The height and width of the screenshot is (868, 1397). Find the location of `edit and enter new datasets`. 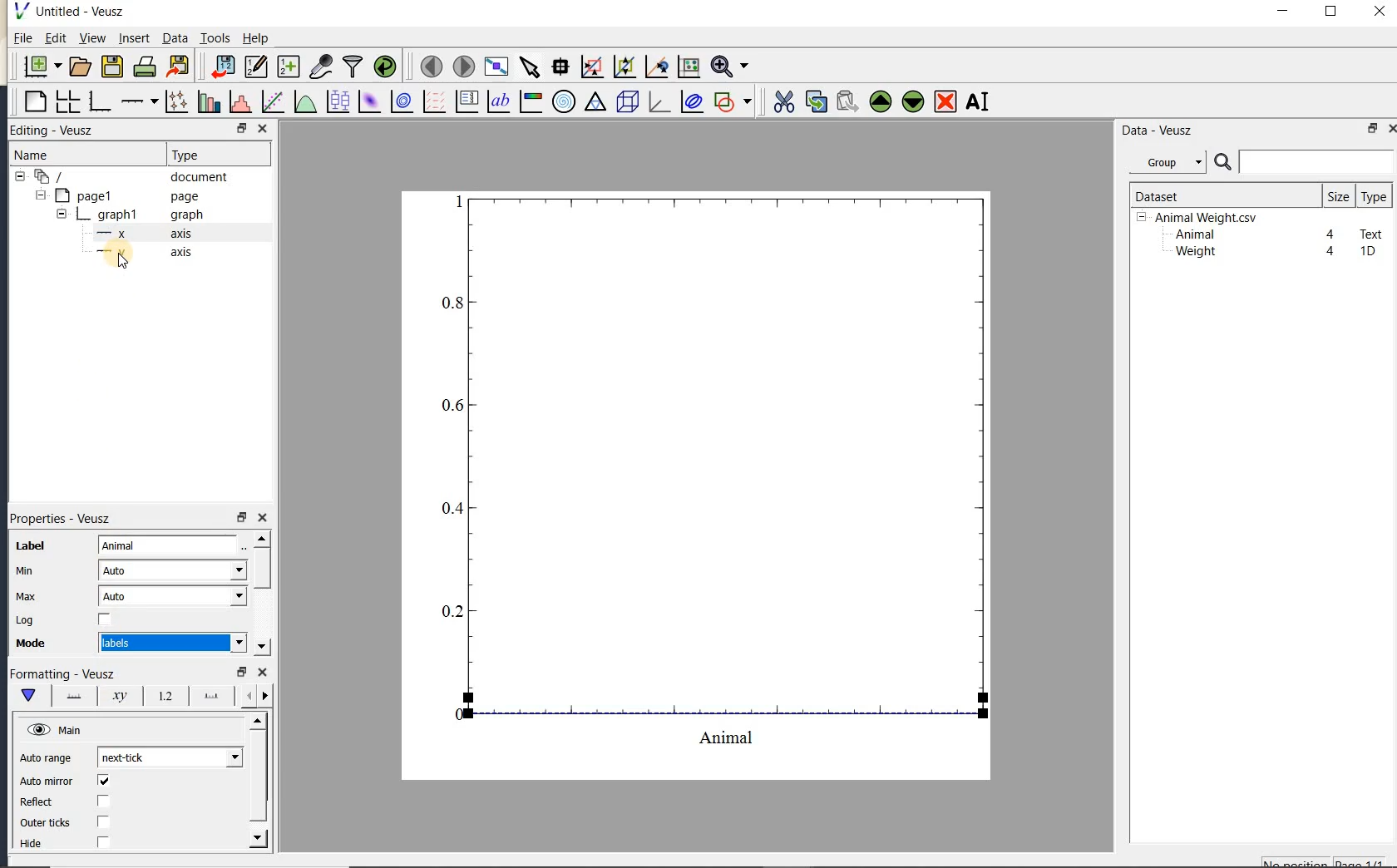

edit and enter new datasets is located at coordinates (255, 67).